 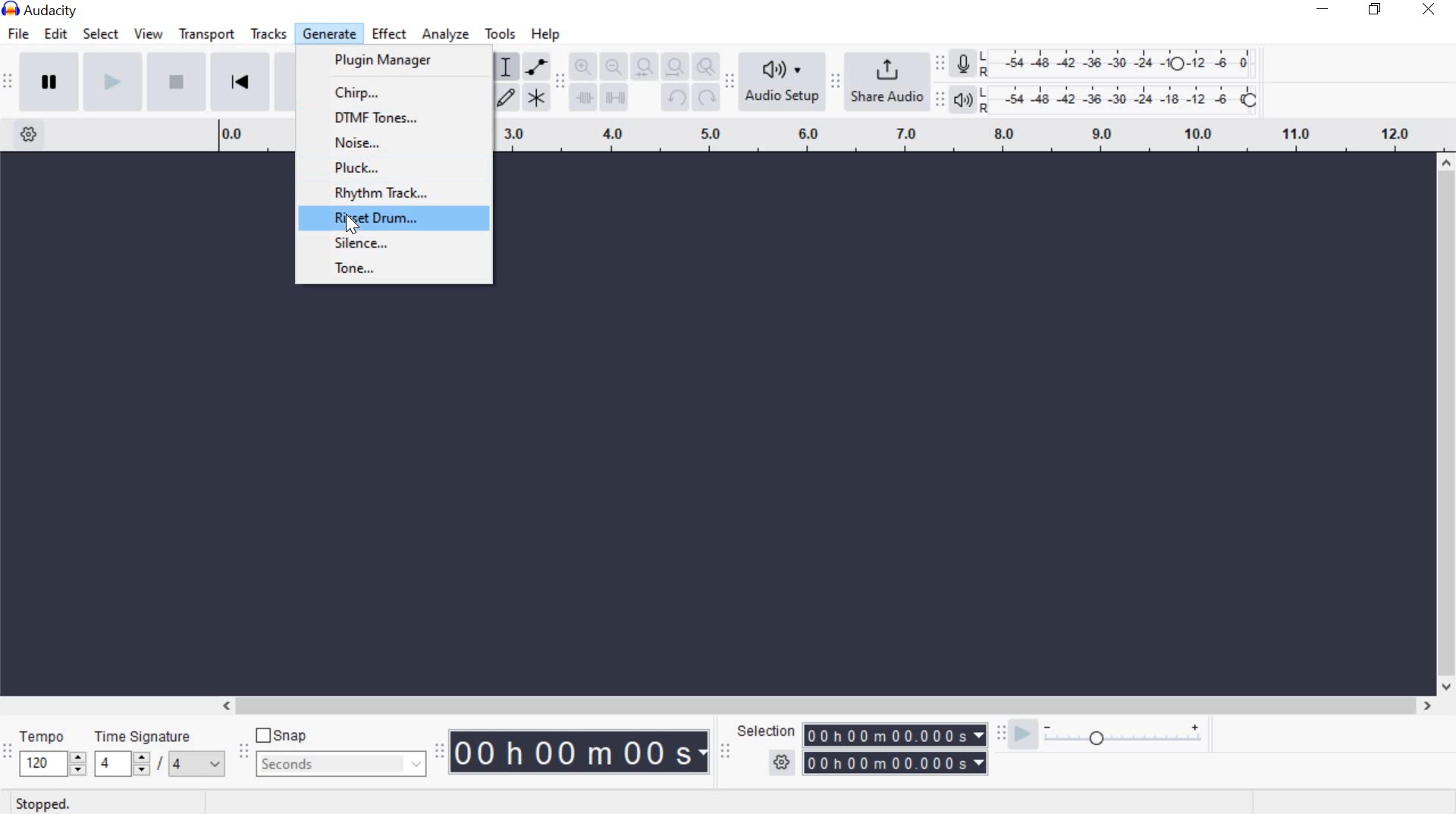 I want to click on chirp, so click(x=401, y=92).